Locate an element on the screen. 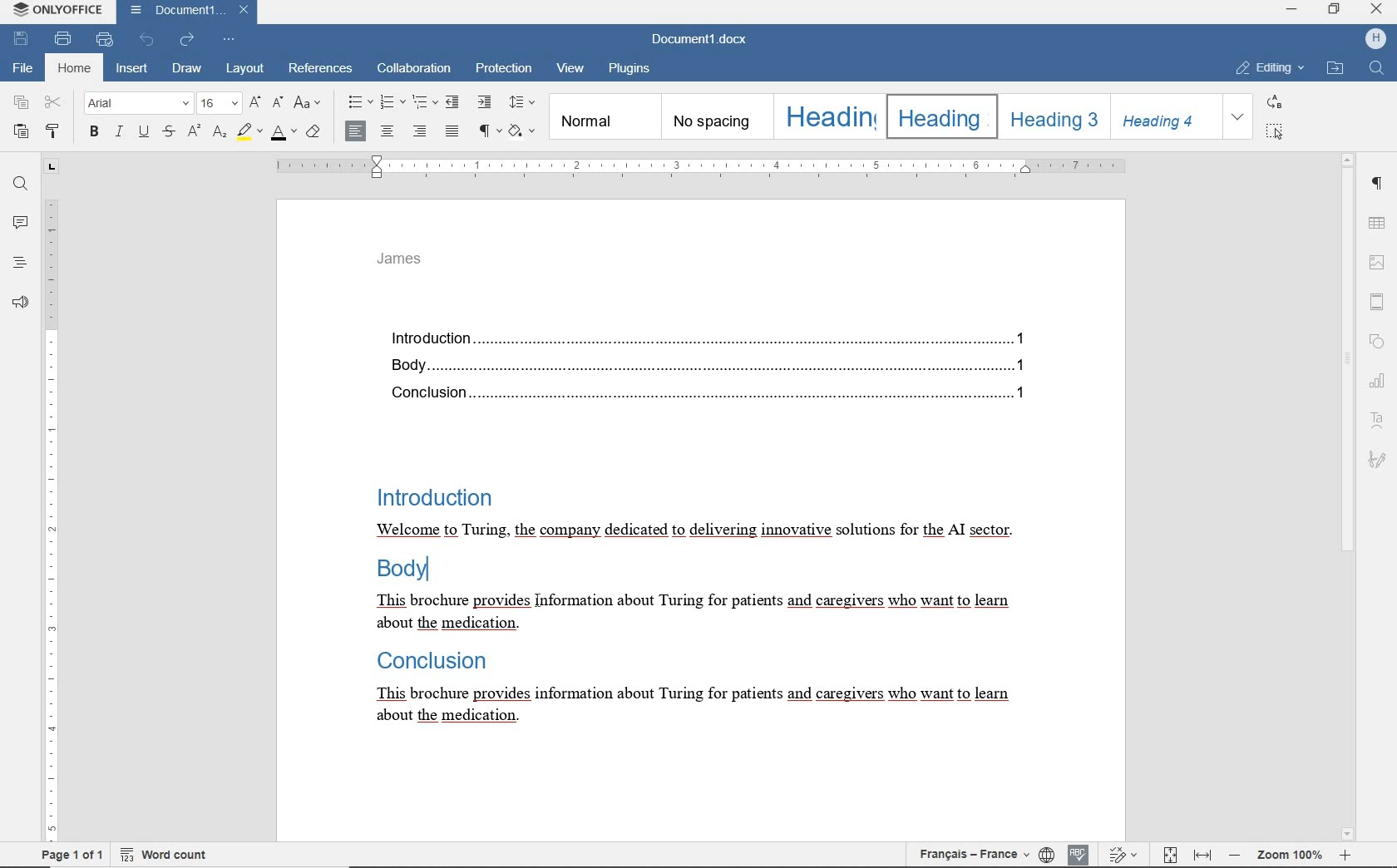 The width and height of the screenshot is (1397, 868). HIGHLIGHT COLOR is located at coordinates (251, 131).